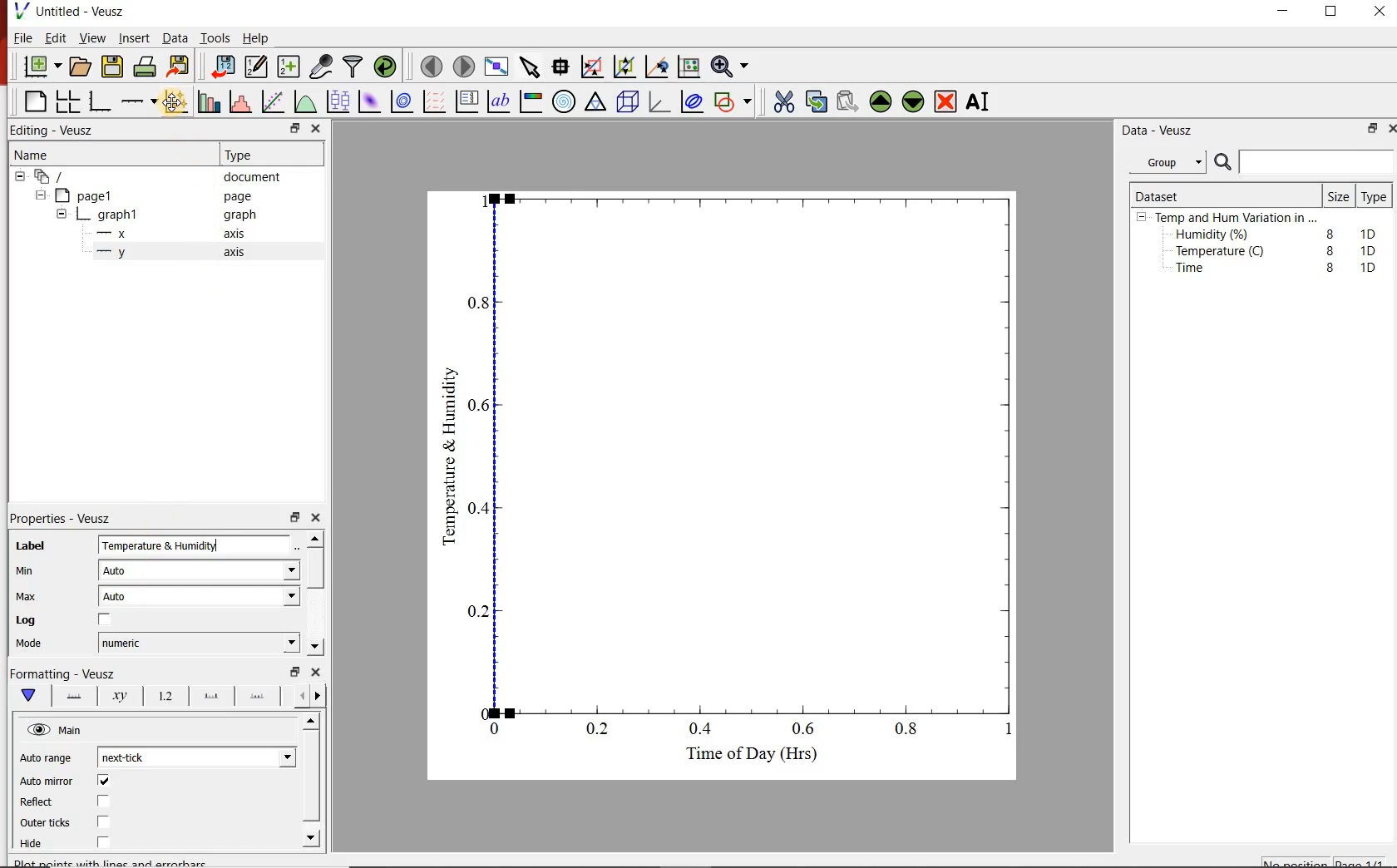 The height and width of the screenshot is (868, 1397). What do you see at coordinates (629, 104) in the screenshot?
I see `3d scene` at bounding box center [629, 104].